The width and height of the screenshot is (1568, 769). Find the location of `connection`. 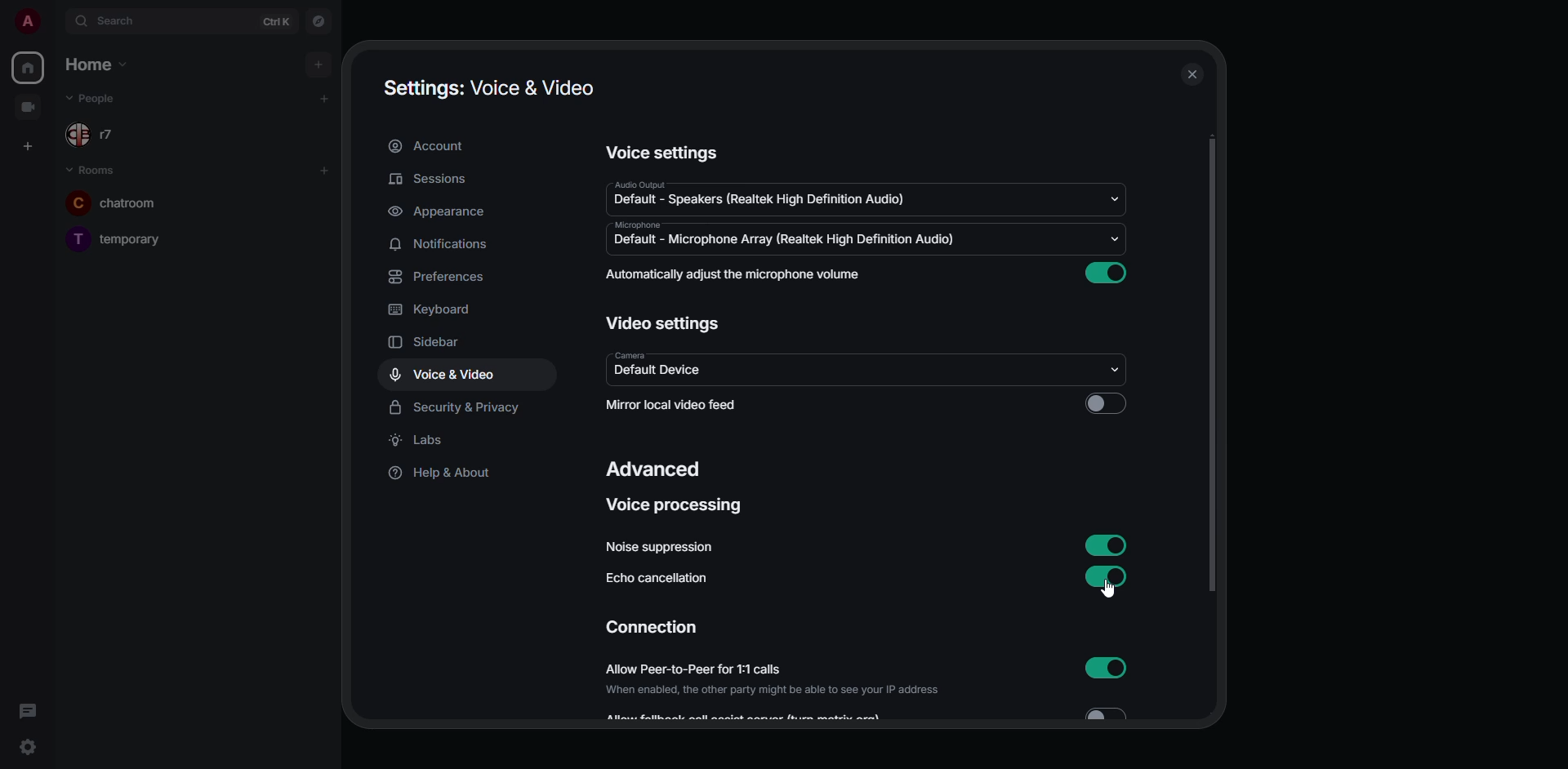

connection is located at coordinates (652, 629).